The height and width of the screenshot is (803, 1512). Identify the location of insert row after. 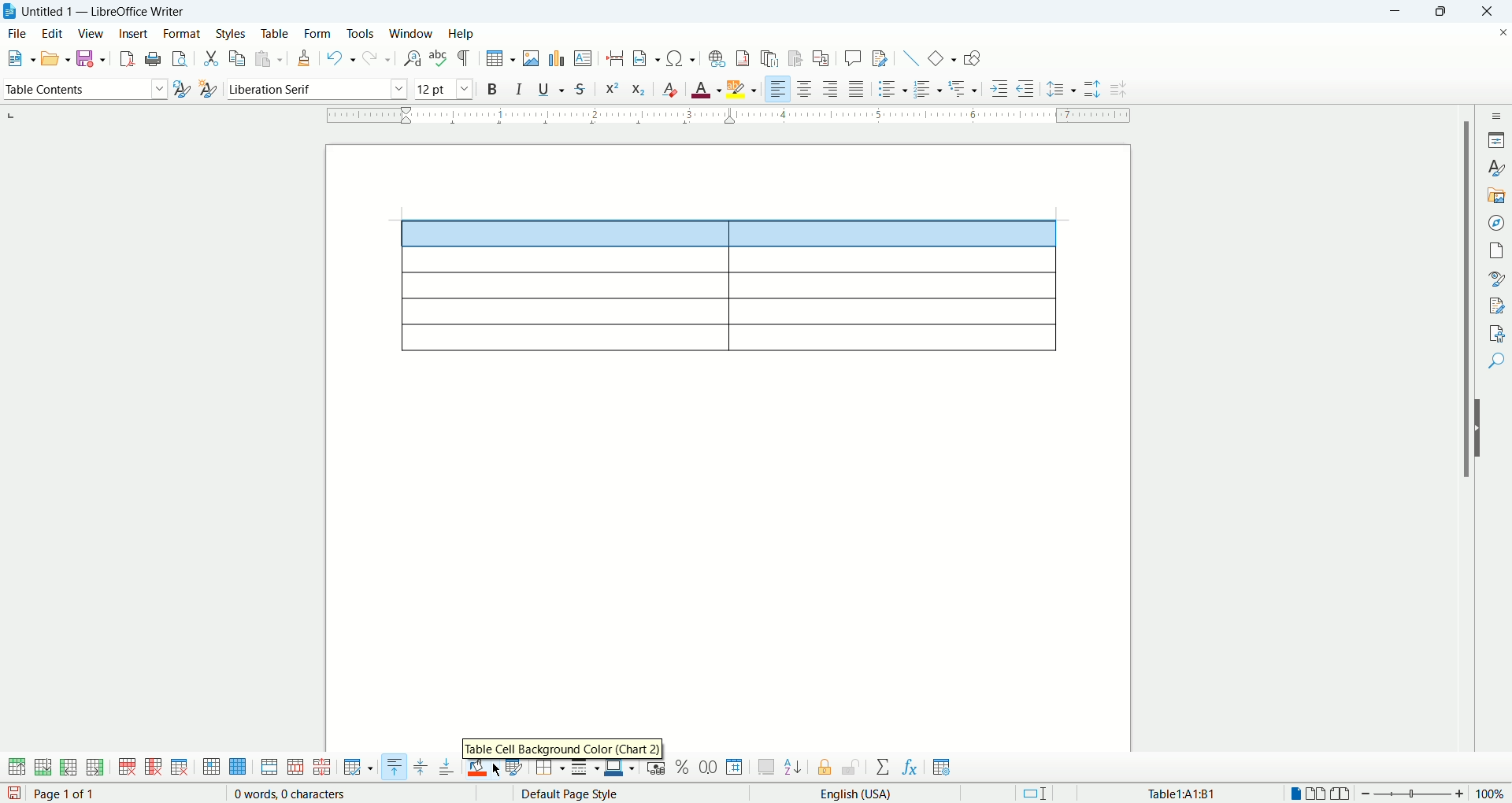
(95, 767).